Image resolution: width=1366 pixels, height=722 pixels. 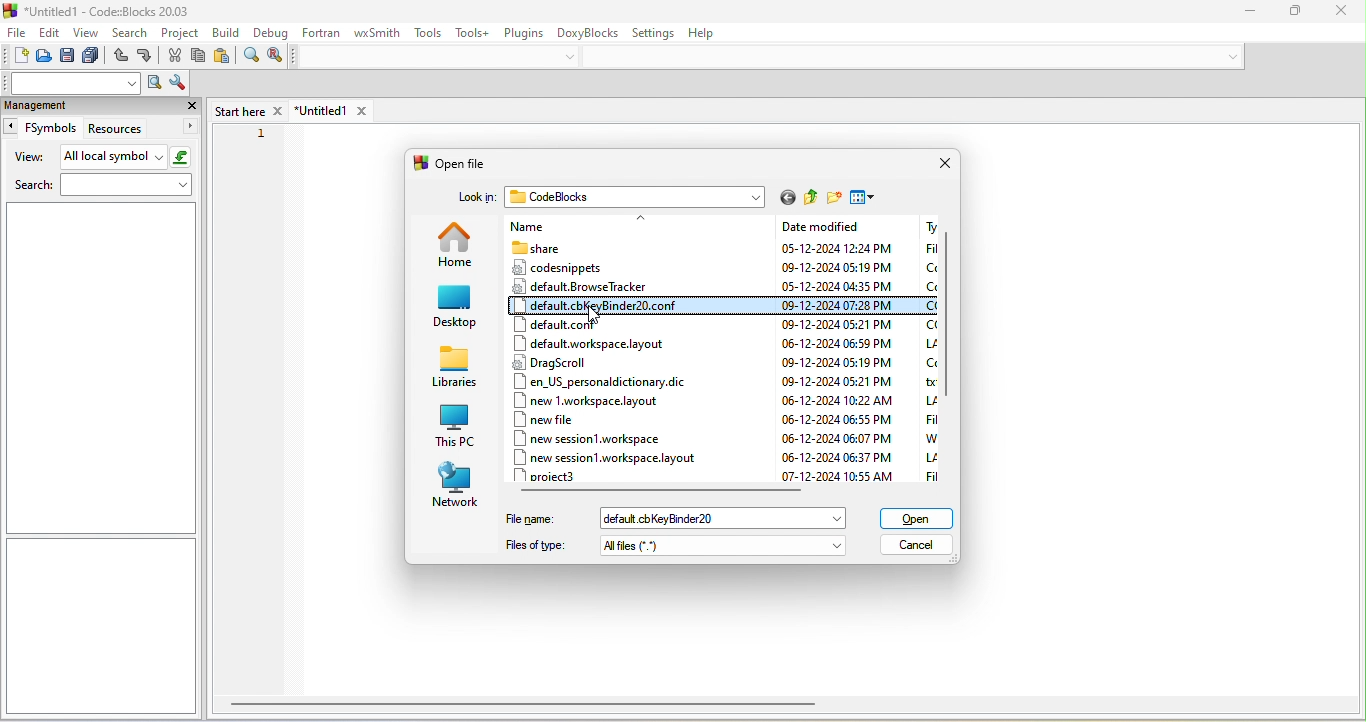 I want to click on build, so click(x=224, y=31).